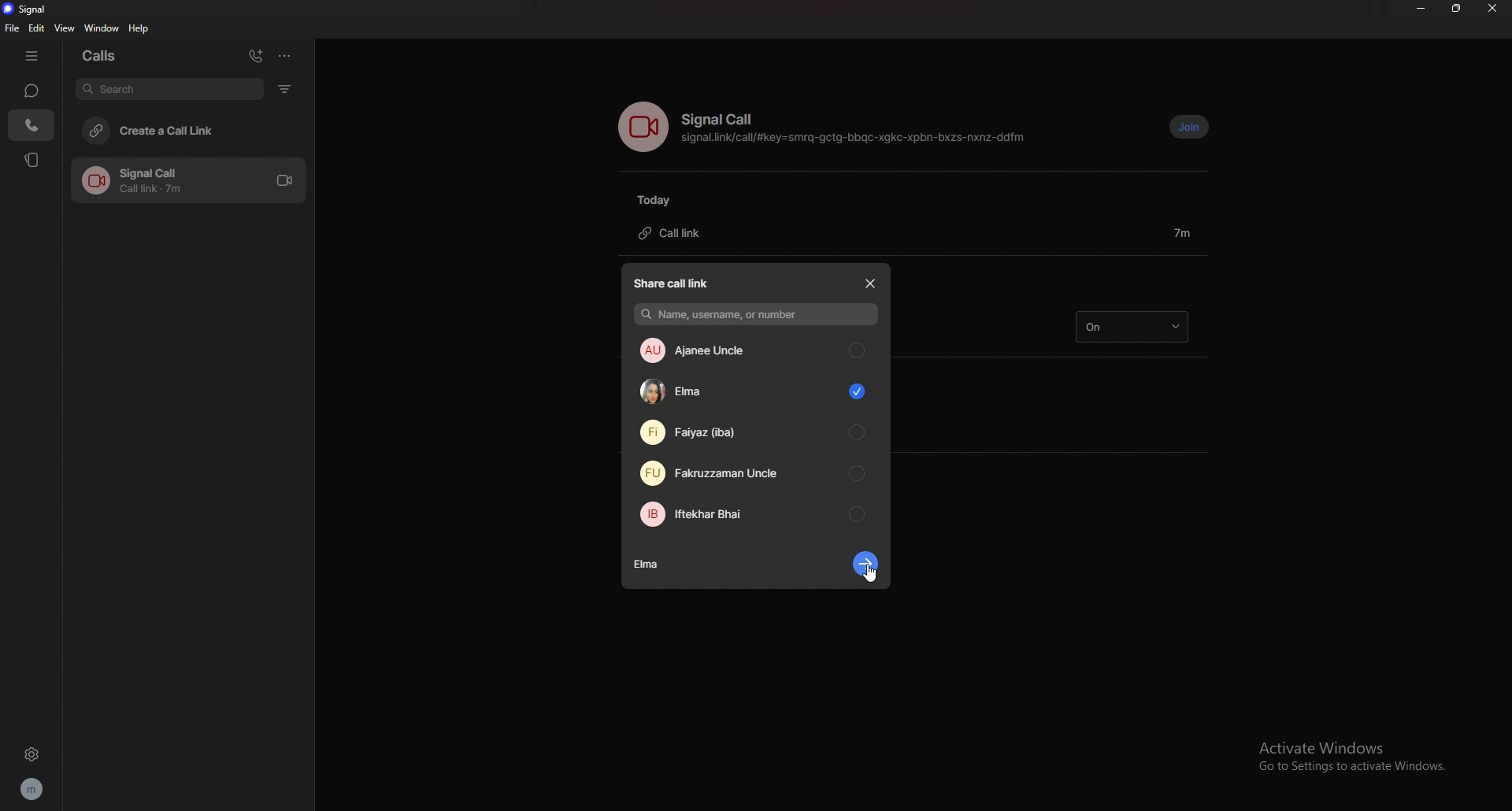 Image resolution: width=1512 pixels, height=811 pixels. What do you see at coordinates (751, 391) in the screenshot?
I see `contact` at bounding box center [751, 391].